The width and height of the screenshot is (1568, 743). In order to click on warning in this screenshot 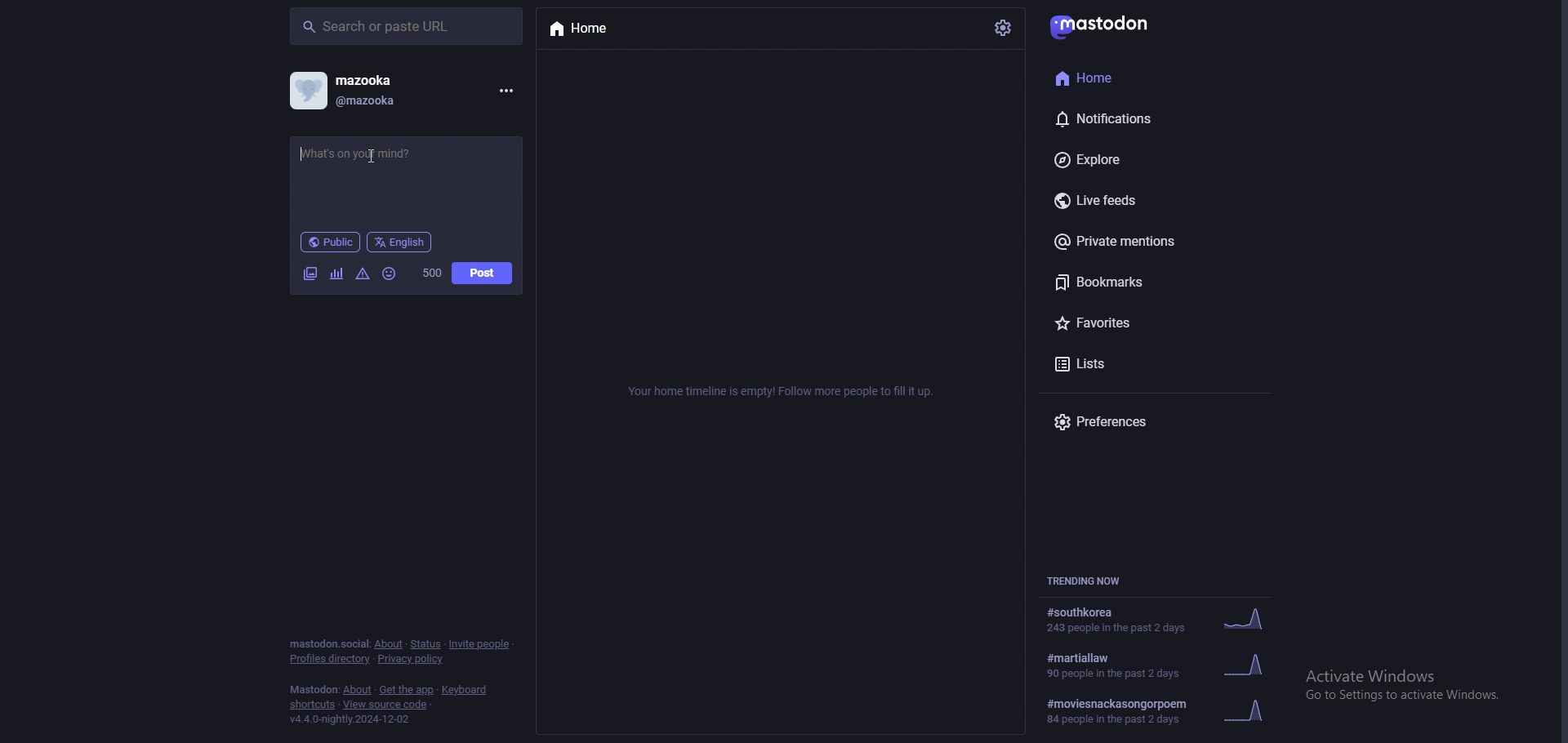, I will do `click(363, 274)`.